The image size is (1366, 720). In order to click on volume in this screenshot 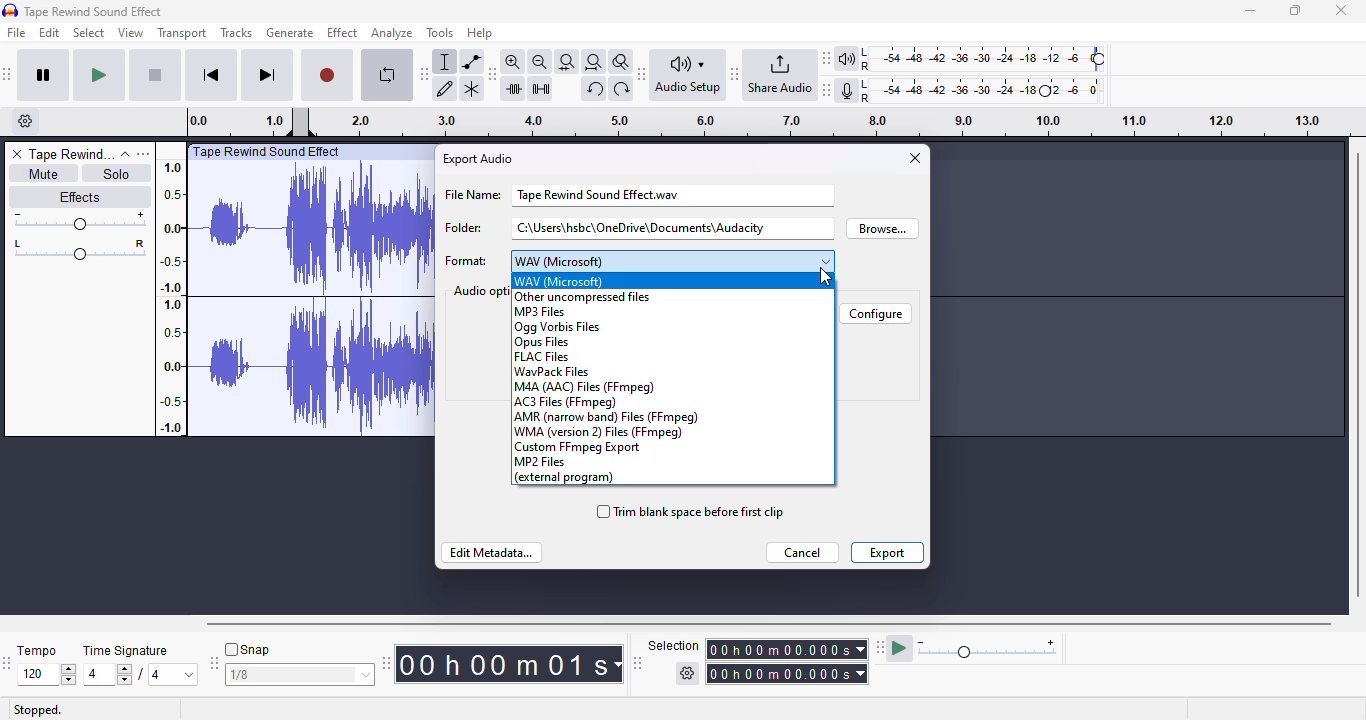, I will do `click(79, 221)`.